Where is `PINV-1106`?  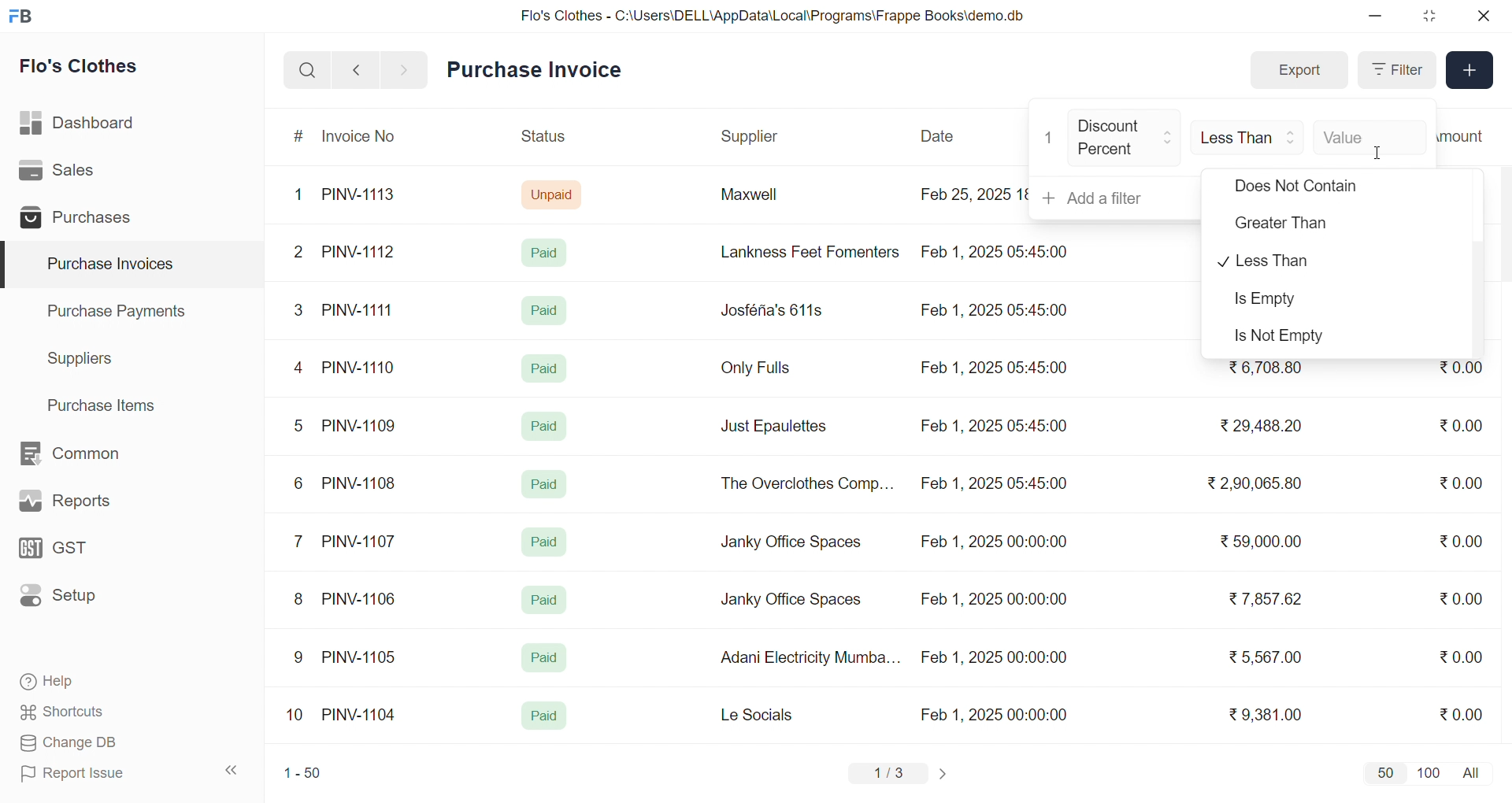 PINV-1106 is located at coordinates (365, 599).